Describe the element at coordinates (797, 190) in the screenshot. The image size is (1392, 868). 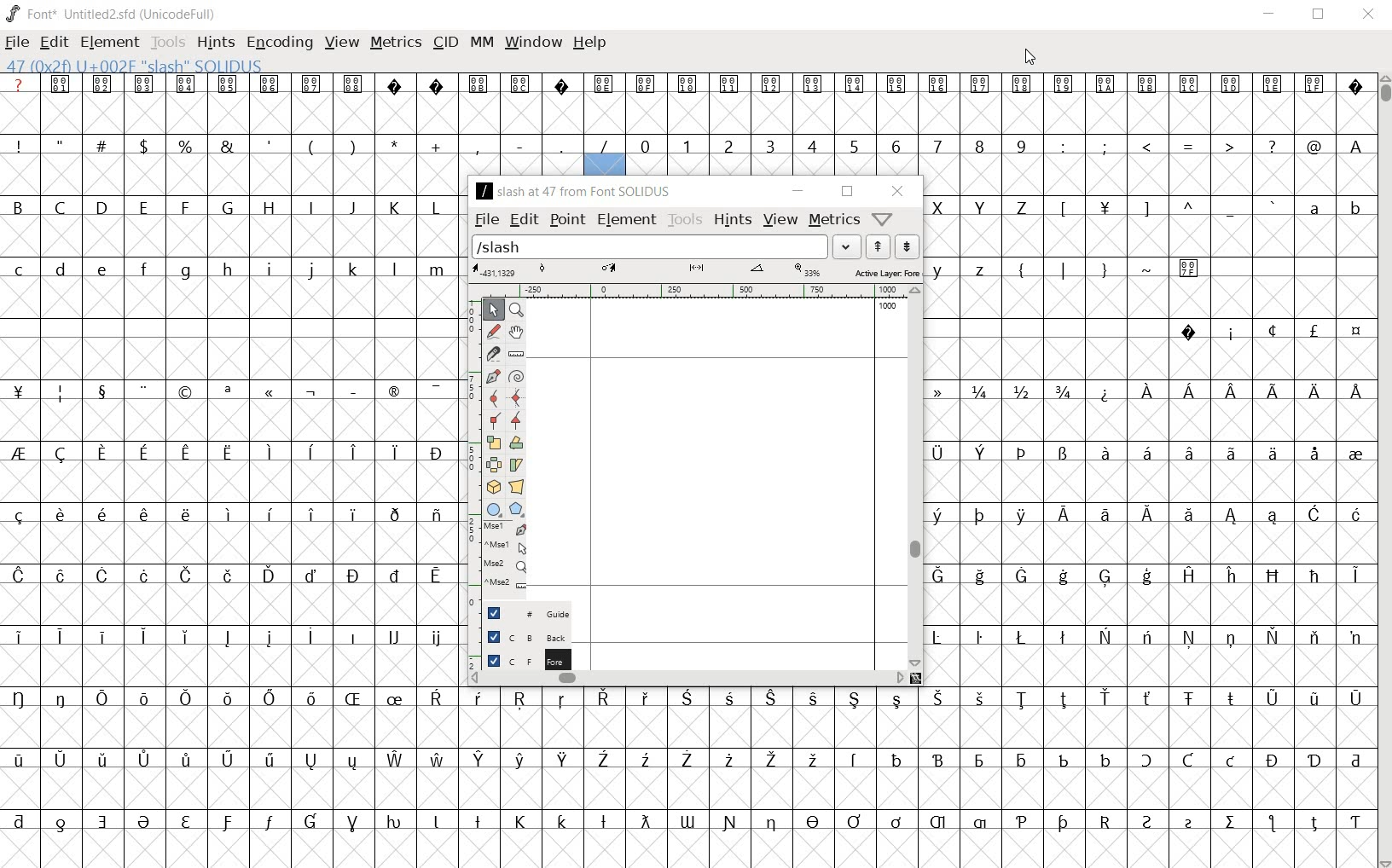
I see `minimize` at that location.